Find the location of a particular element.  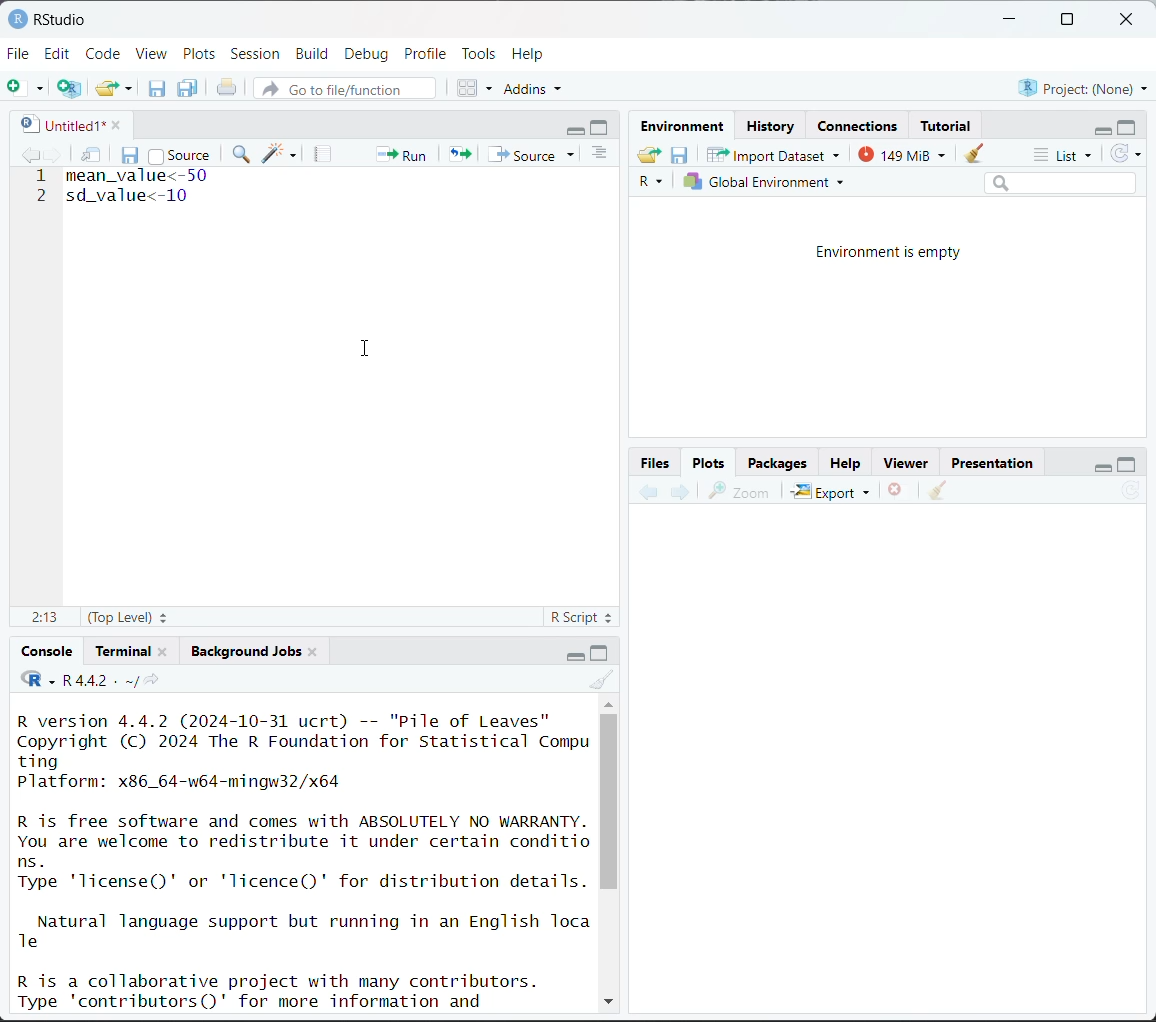

close is located at coordinates (163, 650).